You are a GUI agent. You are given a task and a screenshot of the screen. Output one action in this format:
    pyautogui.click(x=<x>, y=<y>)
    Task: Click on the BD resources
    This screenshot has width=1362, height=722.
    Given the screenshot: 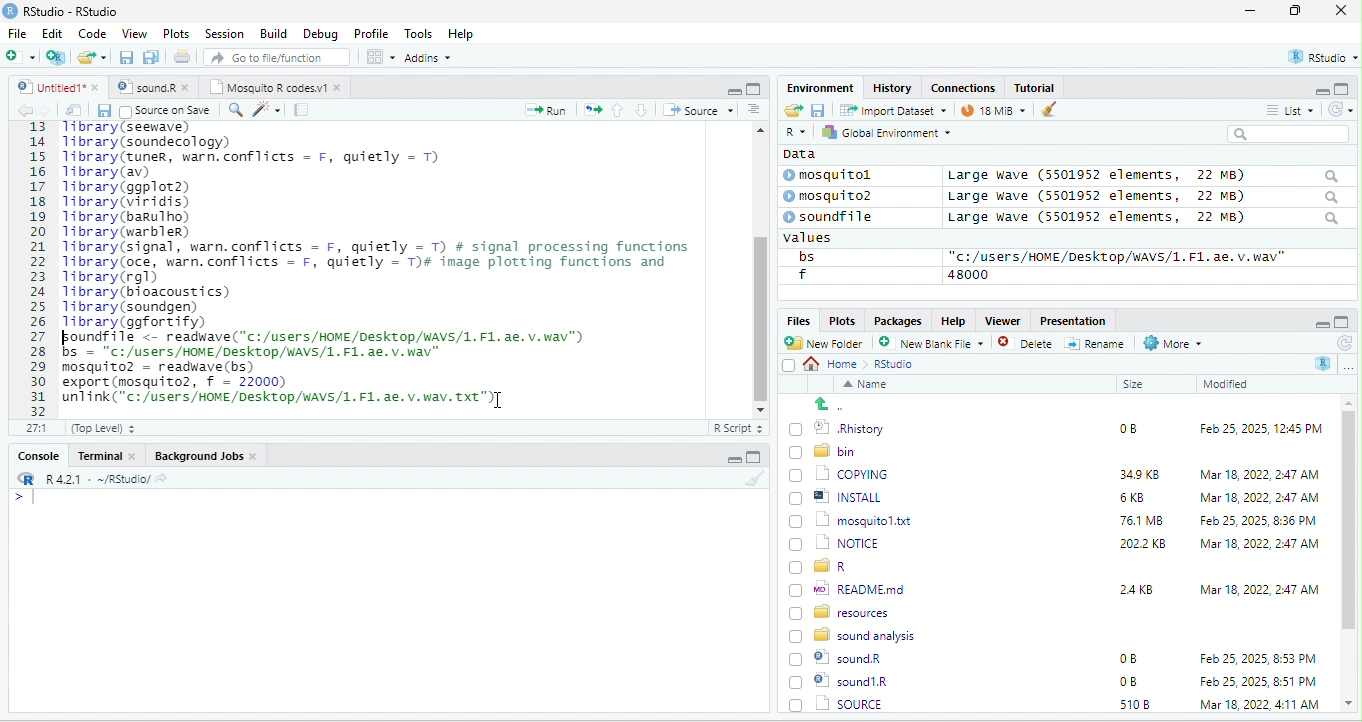 What is the action you would take?
    pyautogui.click(x=843, y=610)
    